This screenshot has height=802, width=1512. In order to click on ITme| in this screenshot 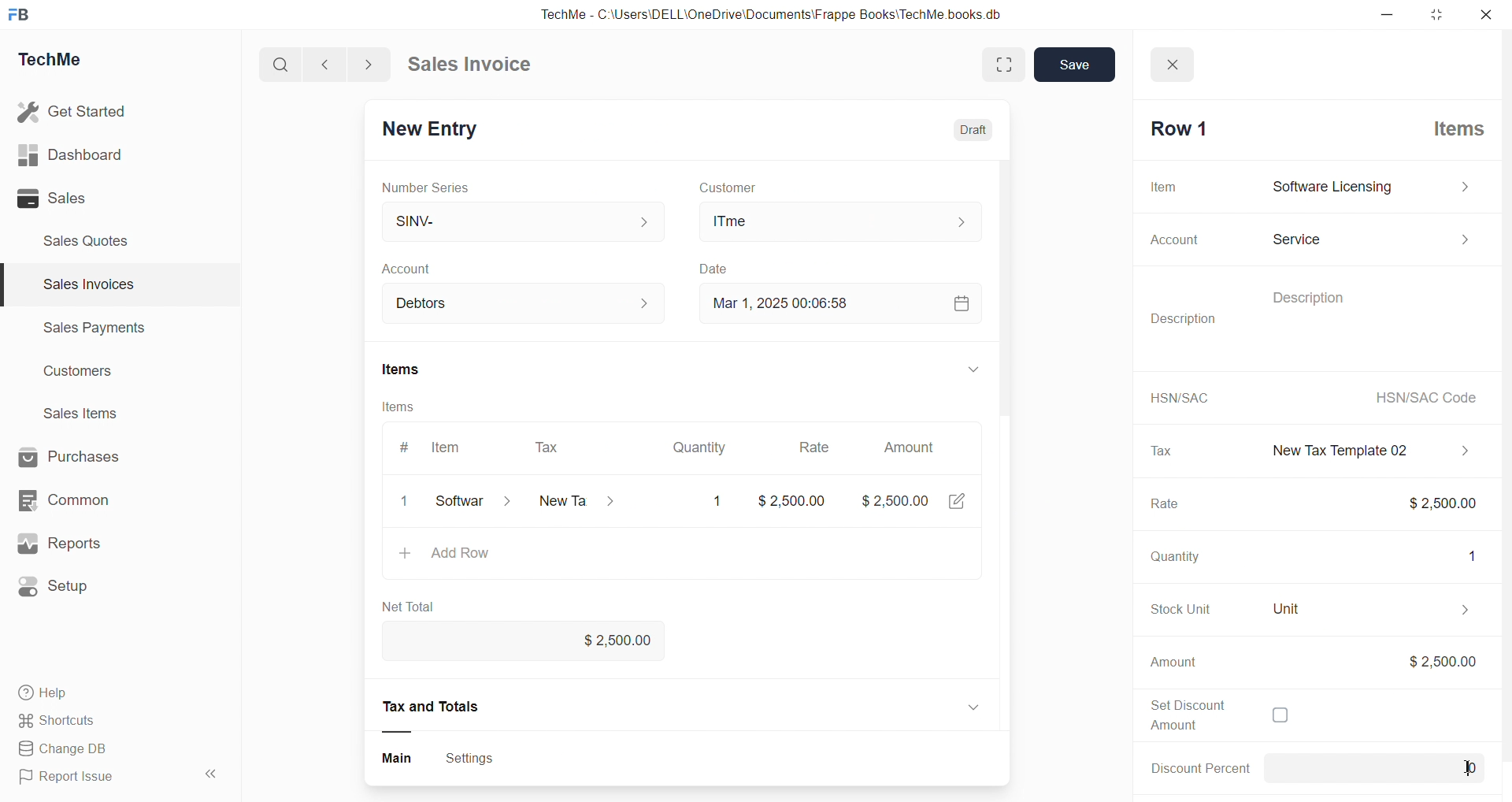, I will do `click(842, 222)`.